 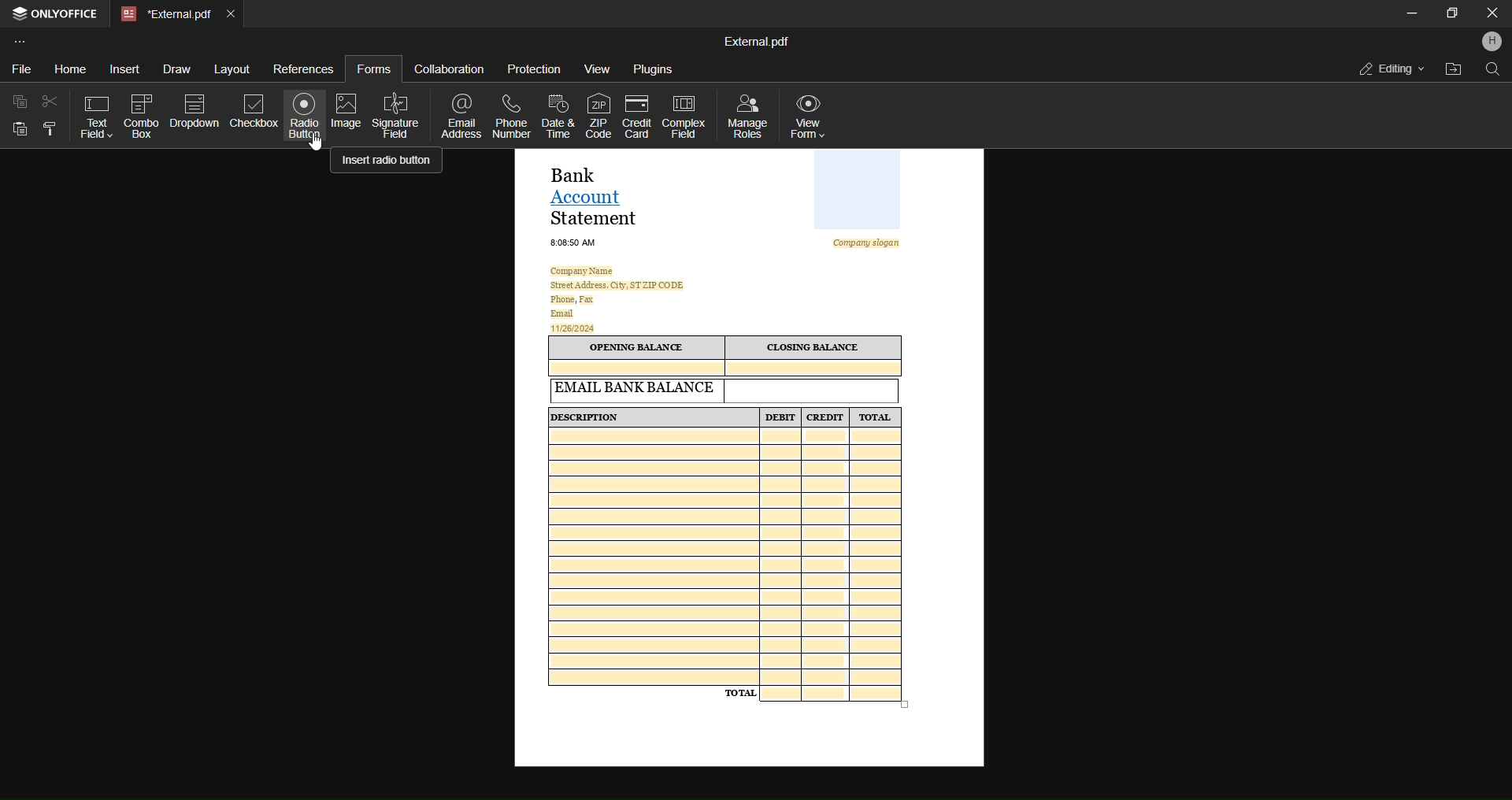 What do you see at coordinates (52, 129) in the screenshot?
I see `copy style` at bounding box center [52, 129].